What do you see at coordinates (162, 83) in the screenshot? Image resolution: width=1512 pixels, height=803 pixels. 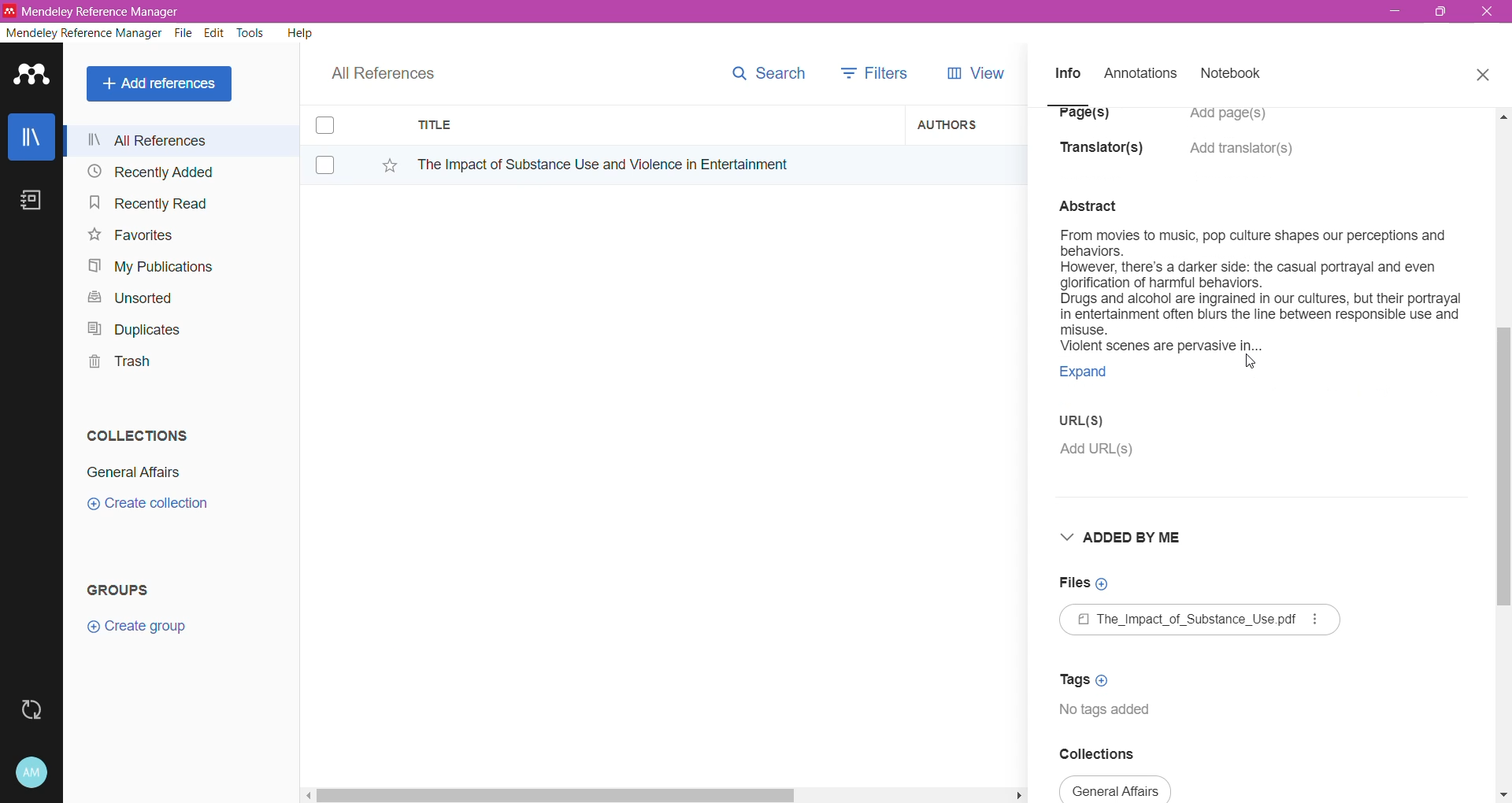 I see `Add References` at bounding box center [162, 83].